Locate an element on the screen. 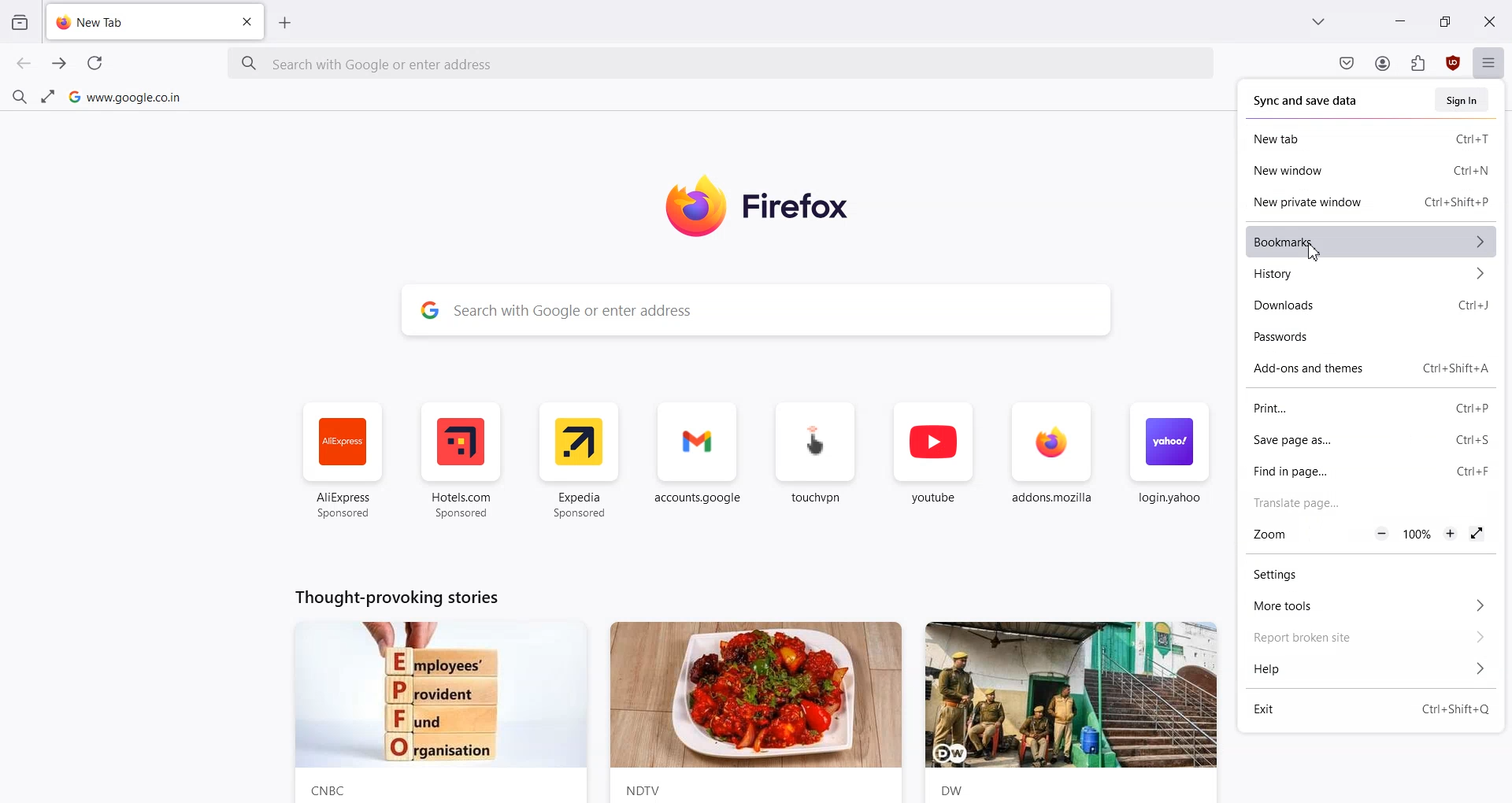 The width and height of the screenshot is (1512, 803). Zoom percentage is located at coordinates (1417, 533).